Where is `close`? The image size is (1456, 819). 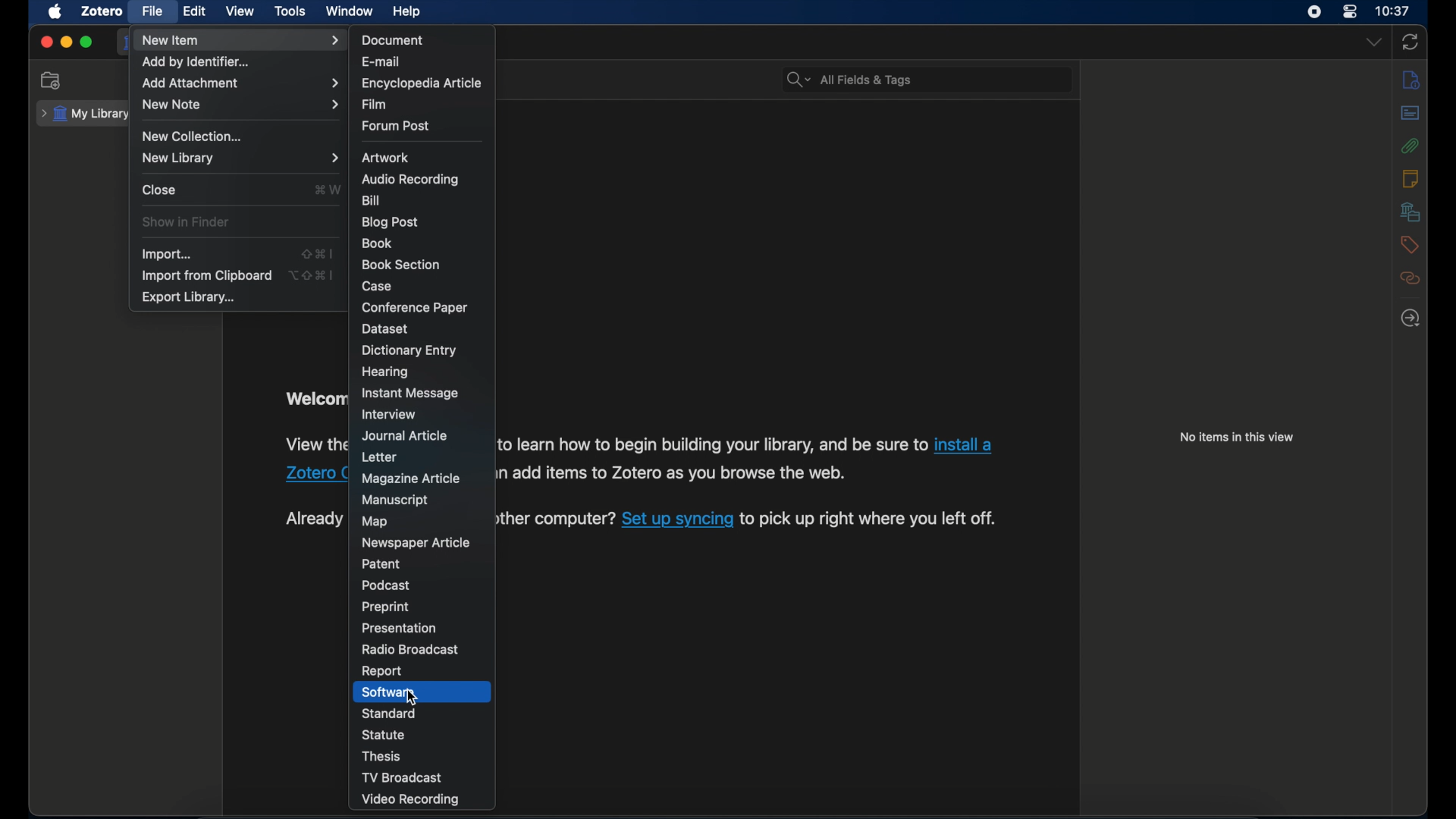 close is located at coordinates (45, 42).